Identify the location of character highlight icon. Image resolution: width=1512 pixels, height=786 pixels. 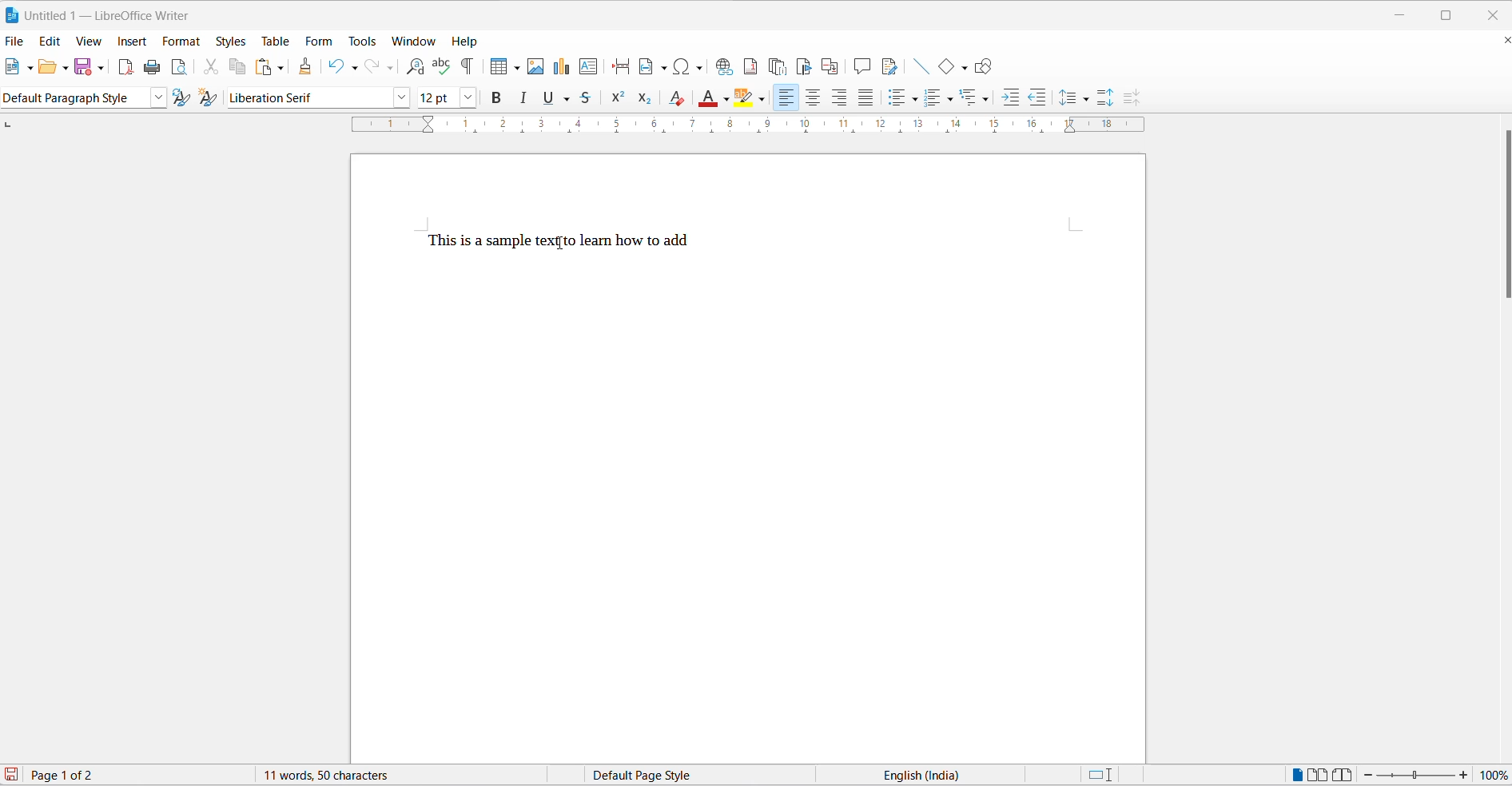
(747, 99).